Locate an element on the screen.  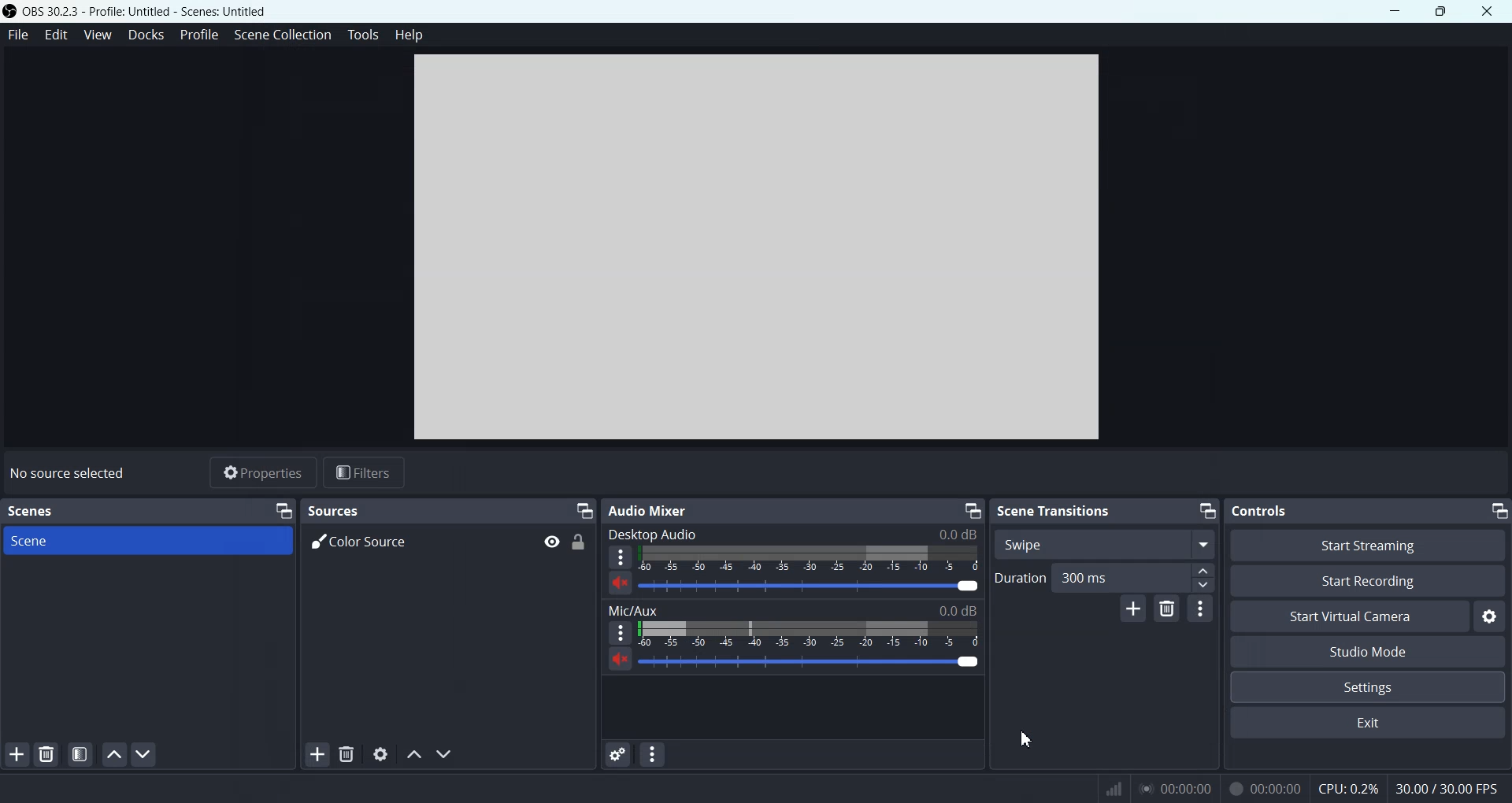
CPU is located at coordinates (1349, 790).